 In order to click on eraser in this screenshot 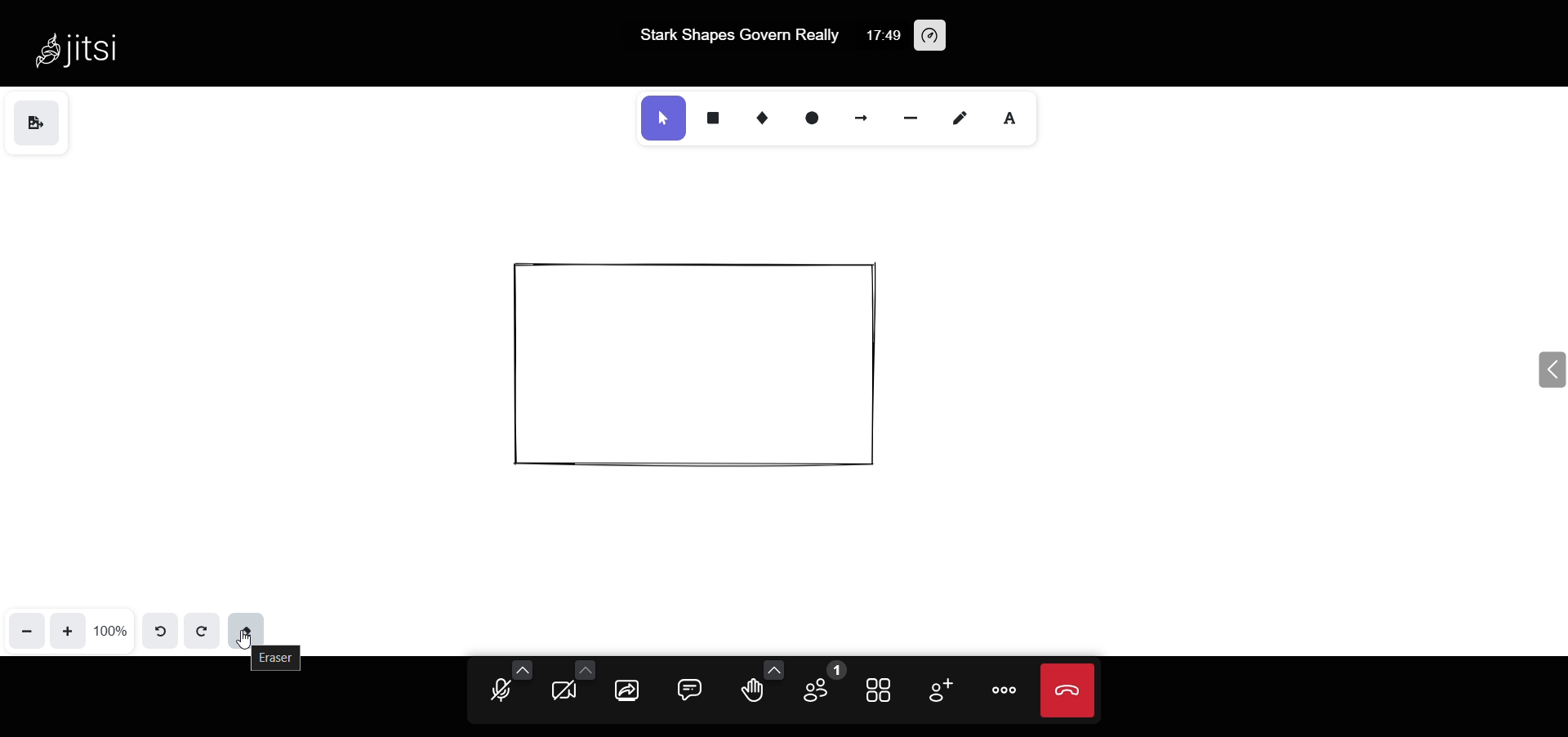, I will do `click(283, 658)`.